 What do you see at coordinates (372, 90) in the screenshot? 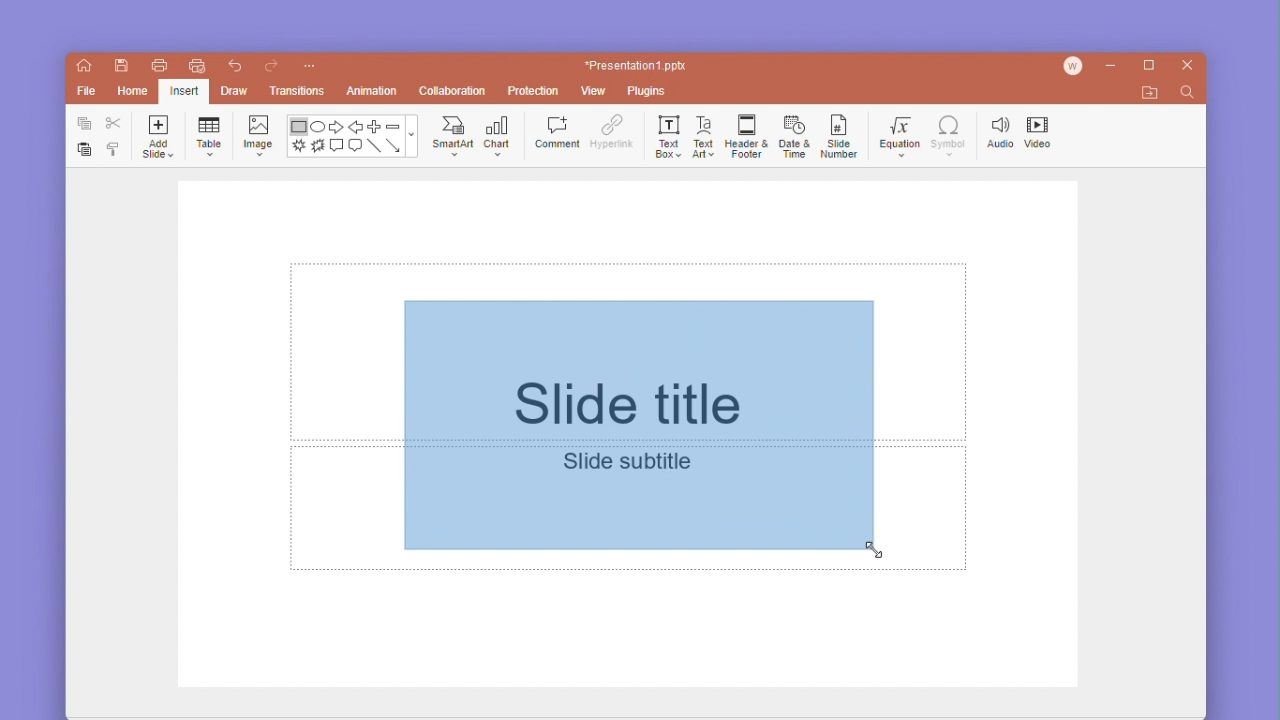
I see `animation` at bounding box center [372, 90].